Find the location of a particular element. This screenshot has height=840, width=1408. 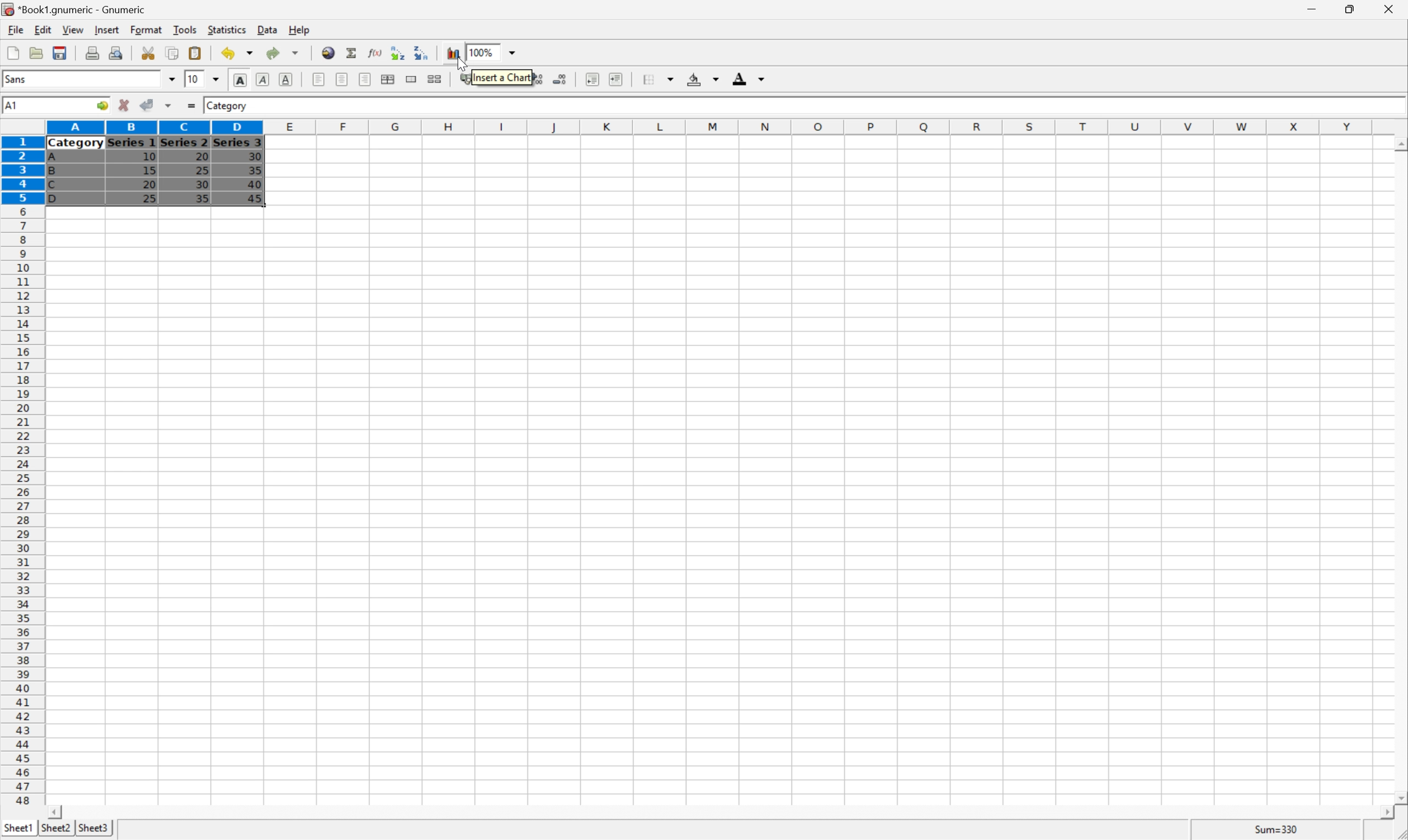

Save current workbook is located at coordinates (59, 52).